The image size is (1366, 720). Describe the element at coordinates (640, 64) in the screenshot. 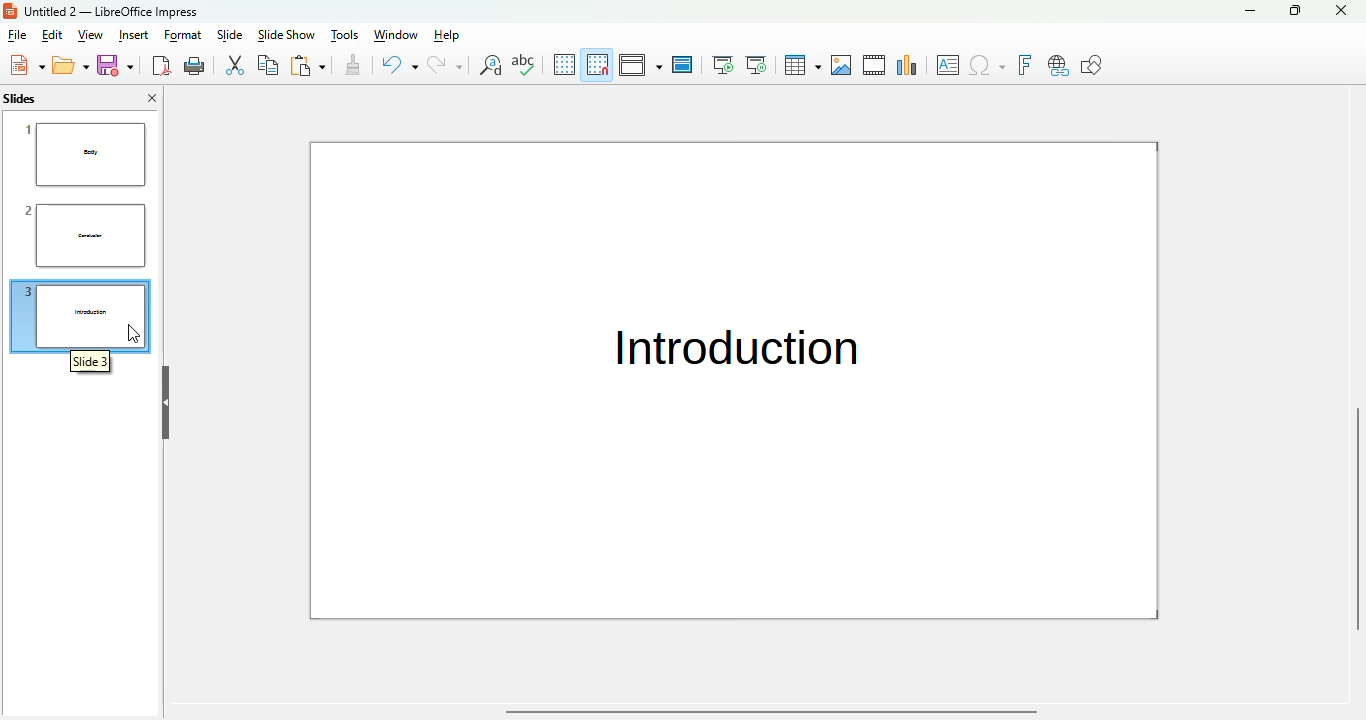

I see `display views` at that location.